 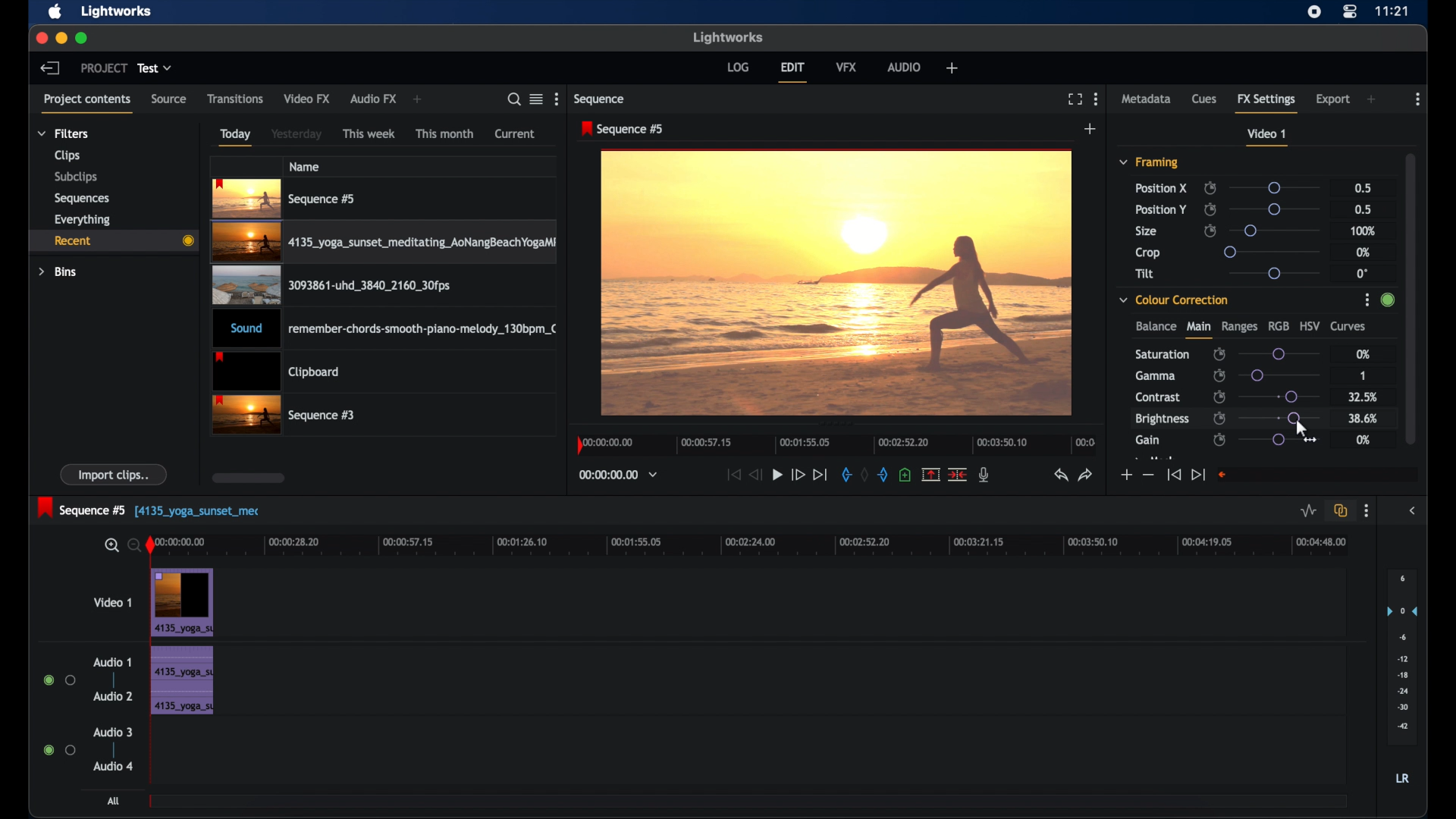 What do you see at coordinates (1148, 253) in the screenshot?
I see `crop` at bounding box center [1148, 253].